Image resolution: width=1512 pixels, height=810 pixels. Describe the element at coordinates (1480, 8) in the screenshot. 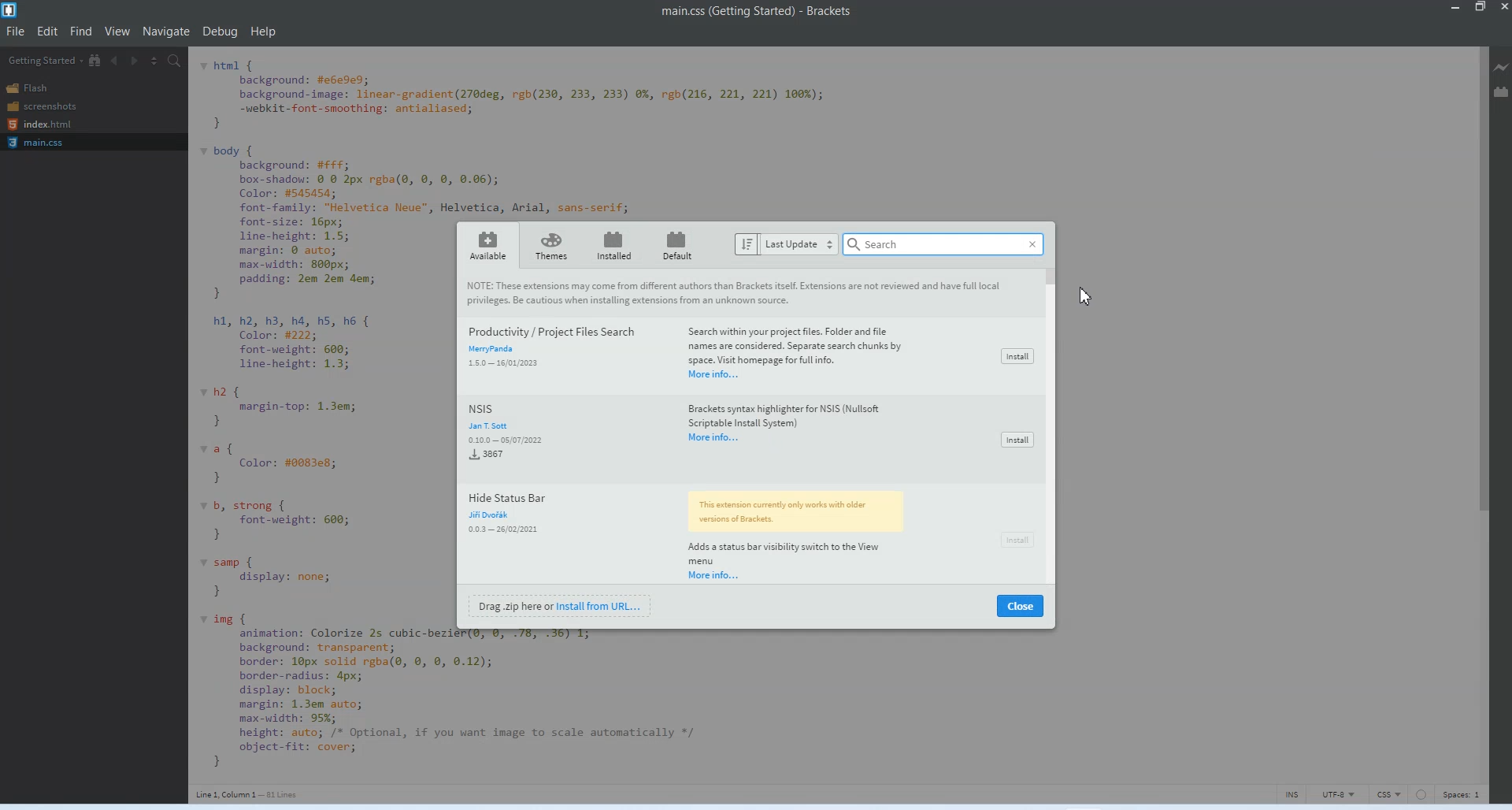

I see `Maximize` at that location.